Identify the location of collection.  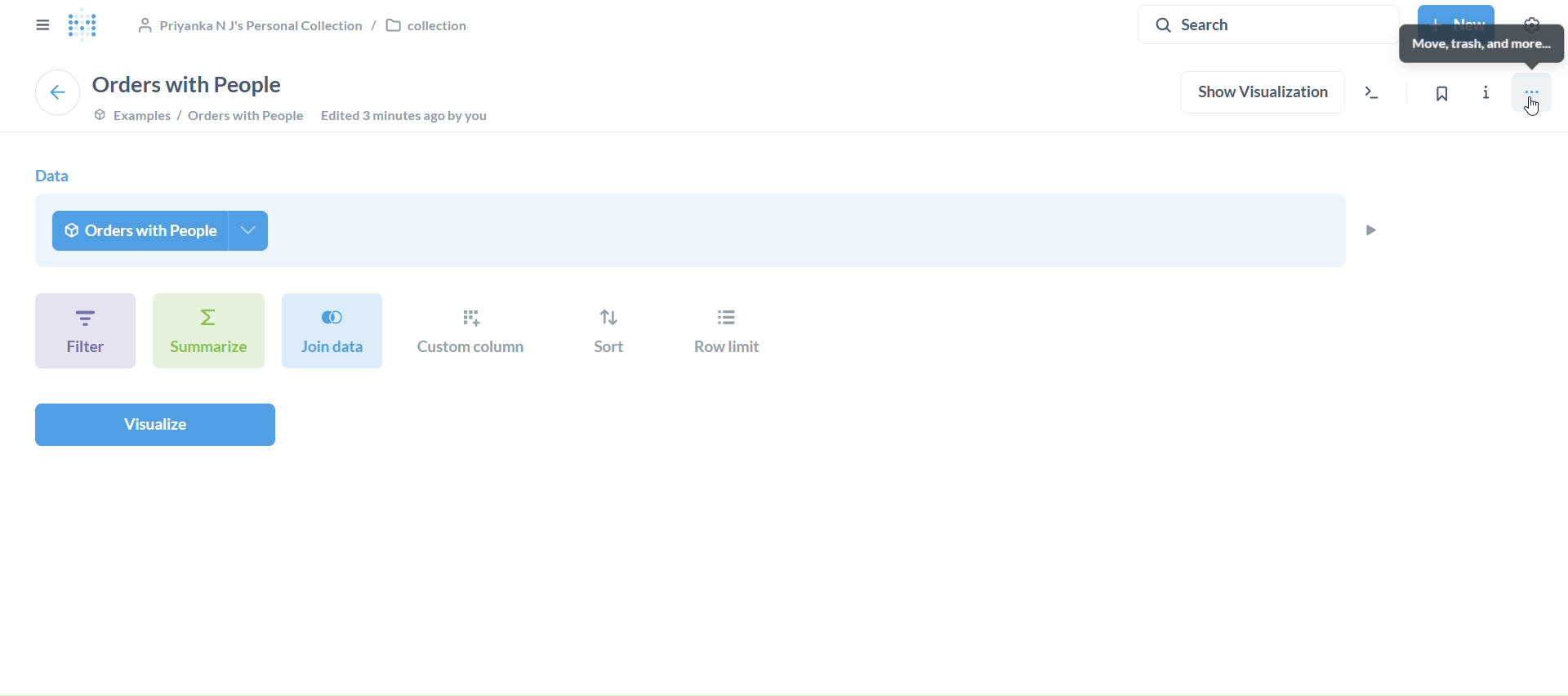
(316, 28).